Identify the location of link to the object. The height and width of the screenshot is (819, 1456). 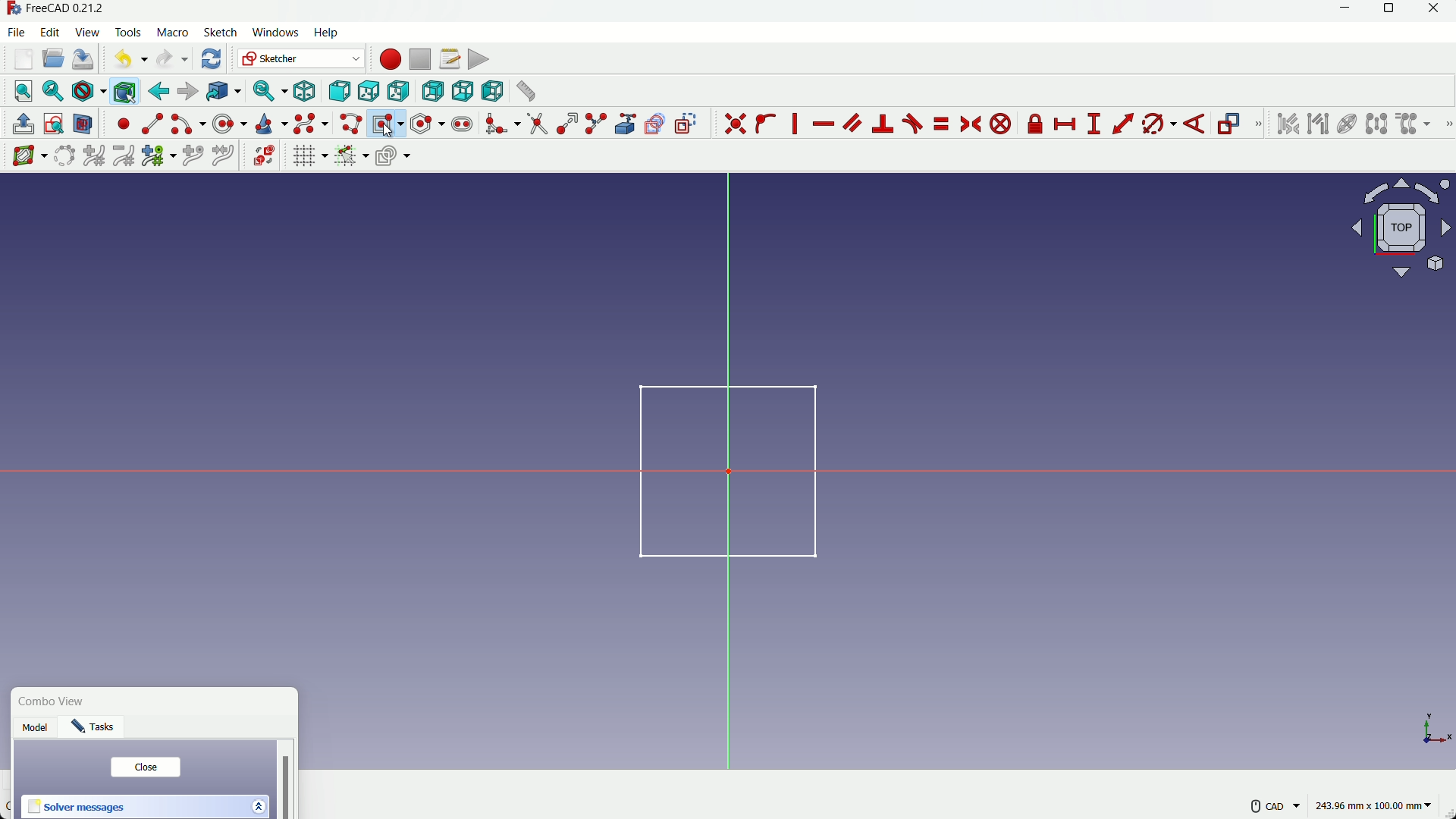
(221, 93).